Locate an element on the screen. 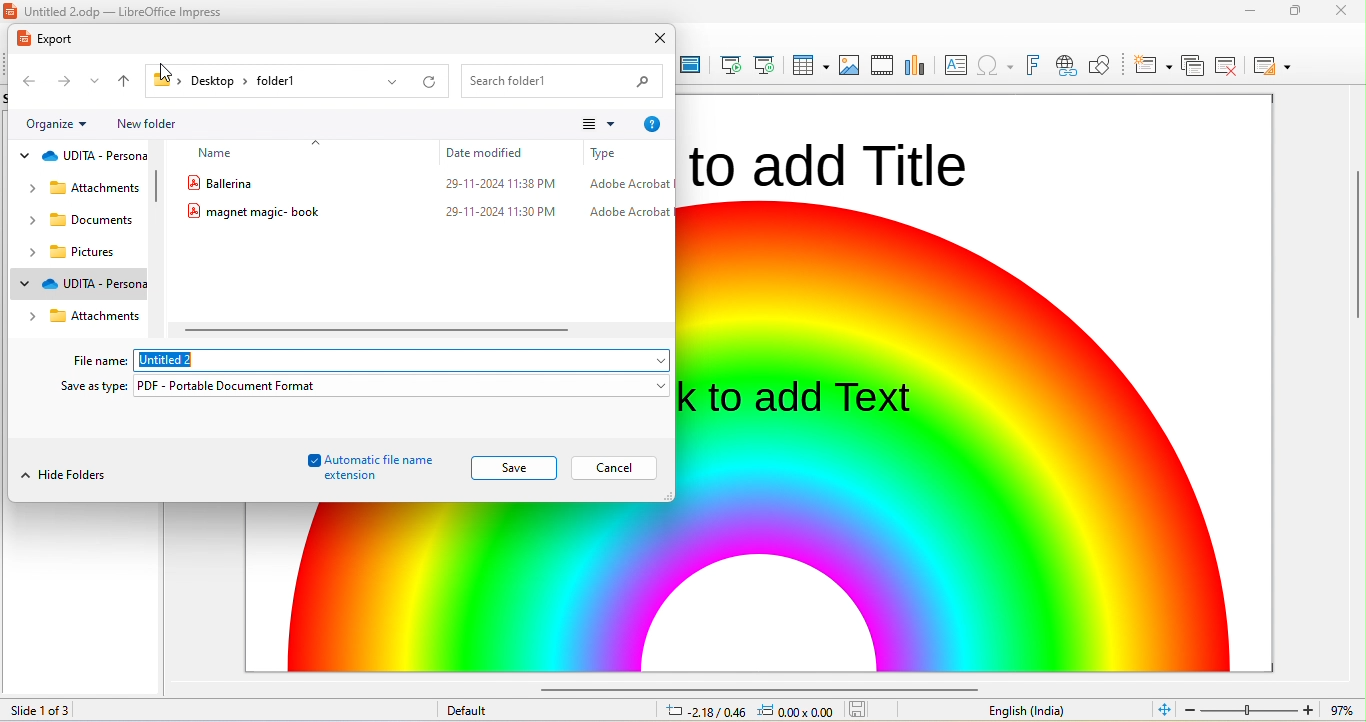 Image resolution: width=1366 pixels, height=722 pixels. close is located at coordinates (659, 39).